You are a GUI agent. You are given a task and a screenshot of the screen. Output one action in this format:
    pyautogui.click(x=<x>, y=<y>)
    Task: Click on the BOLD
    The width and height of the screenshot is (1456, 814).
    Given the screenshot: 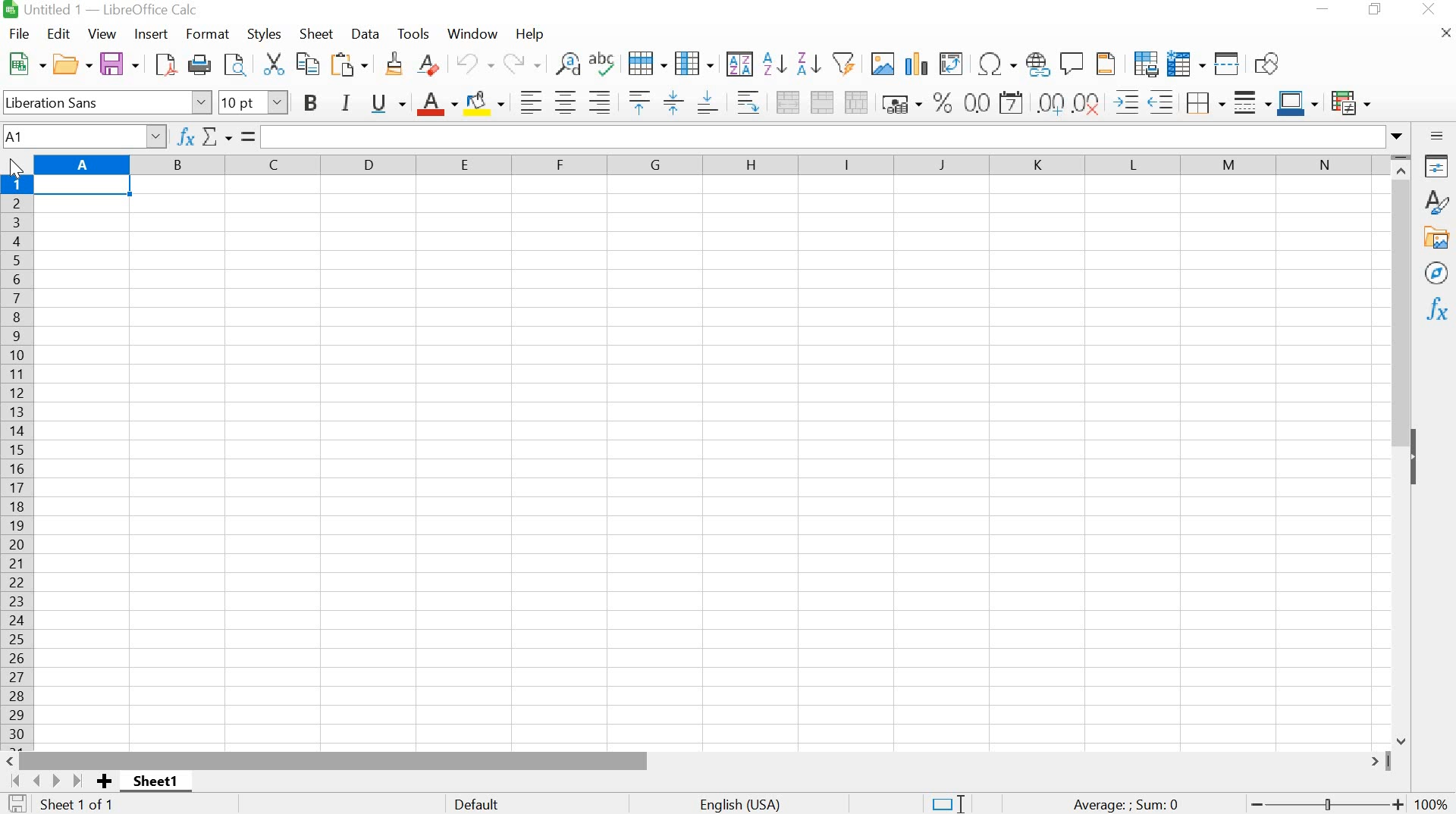 What is the action you would take?
    pyautogui.click(x=309, y=104)
    